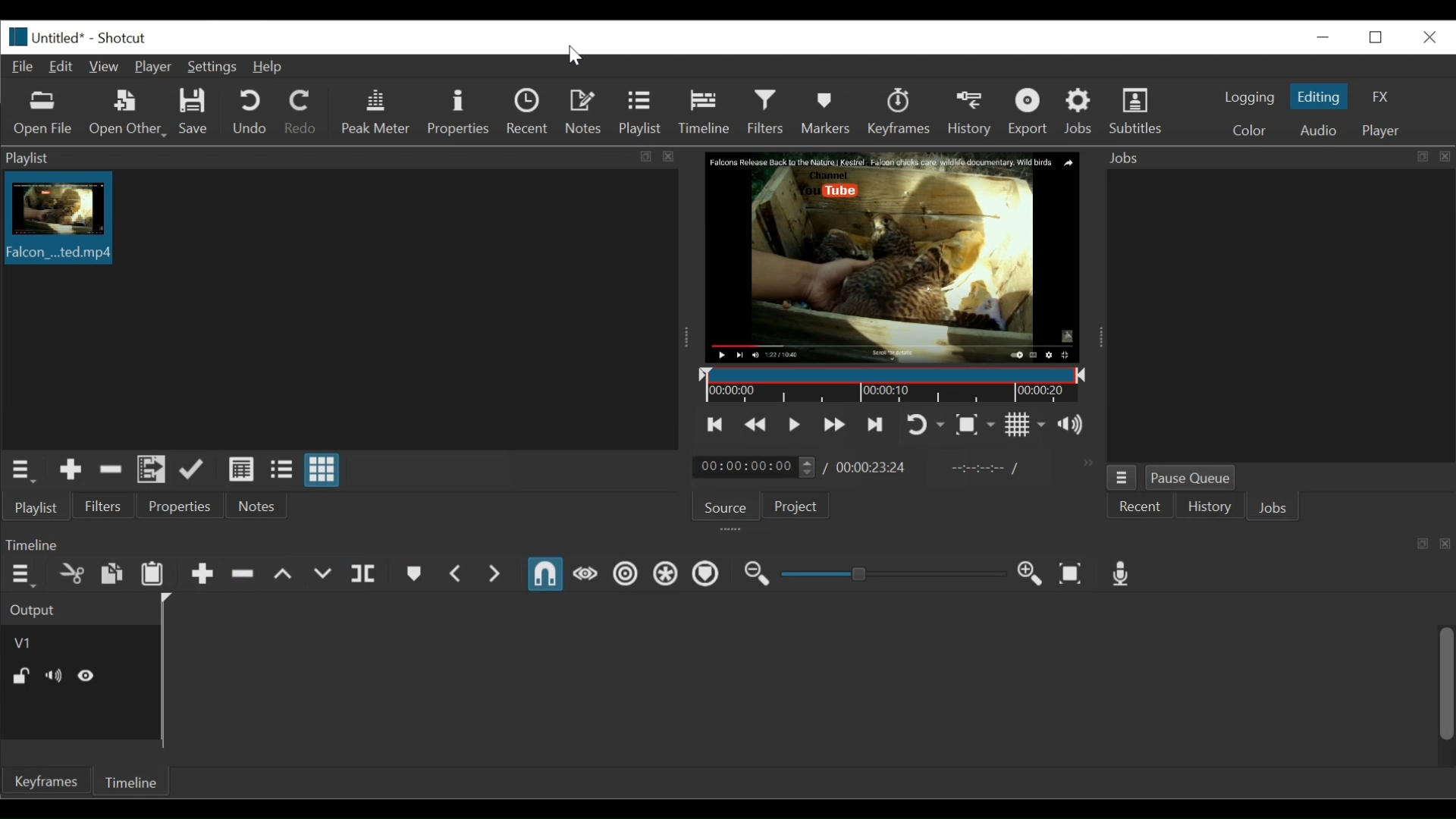 This screenshot has width=1456, height=819. Describe the element at coordinates (893, 387) in the screenshot. I see `Timeline` at that location.